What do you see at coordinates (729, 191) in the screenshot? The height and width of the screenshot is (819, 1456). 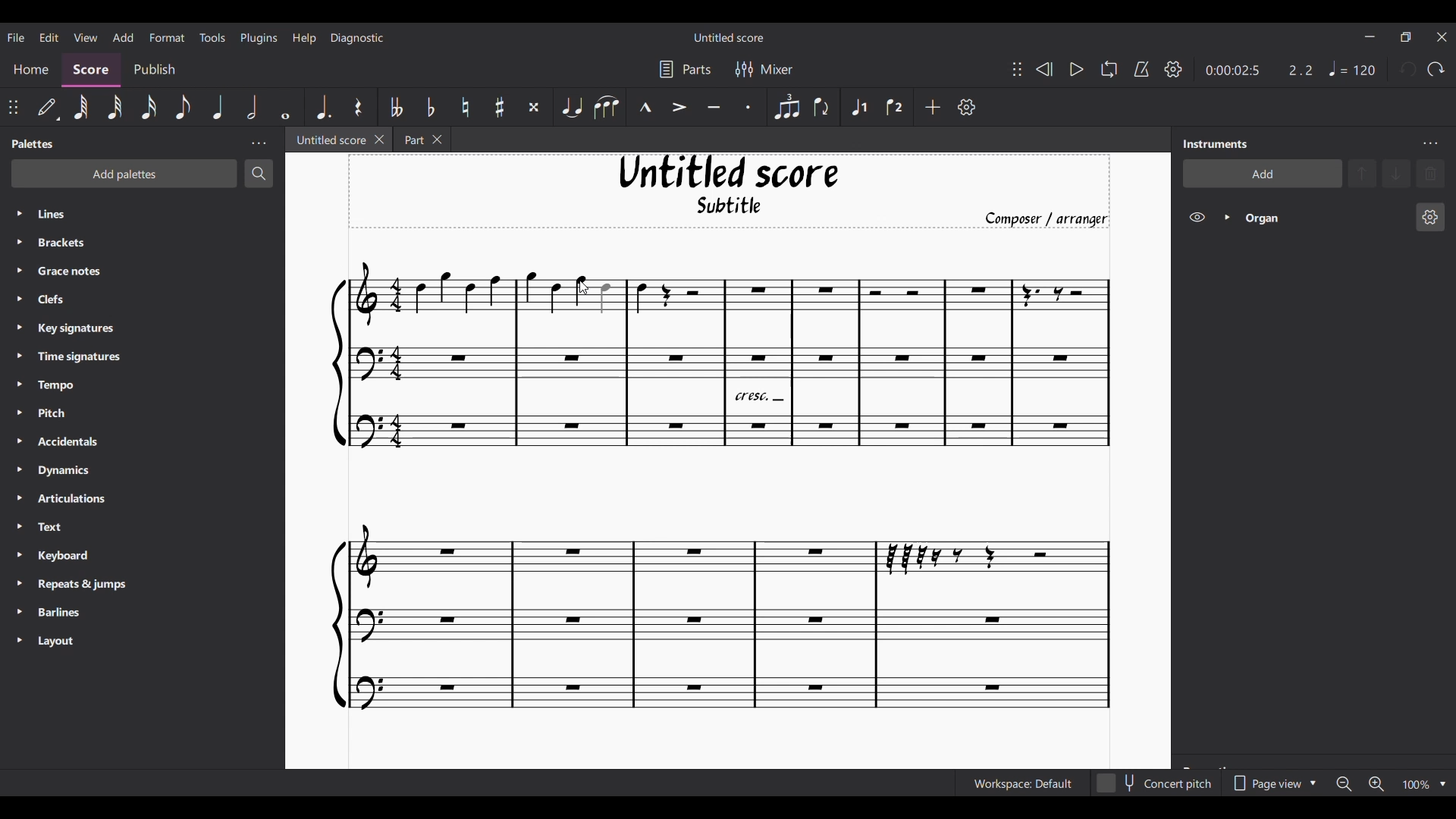 I see `Title, sub-title, and composer name` at bounding box center [729, 191].